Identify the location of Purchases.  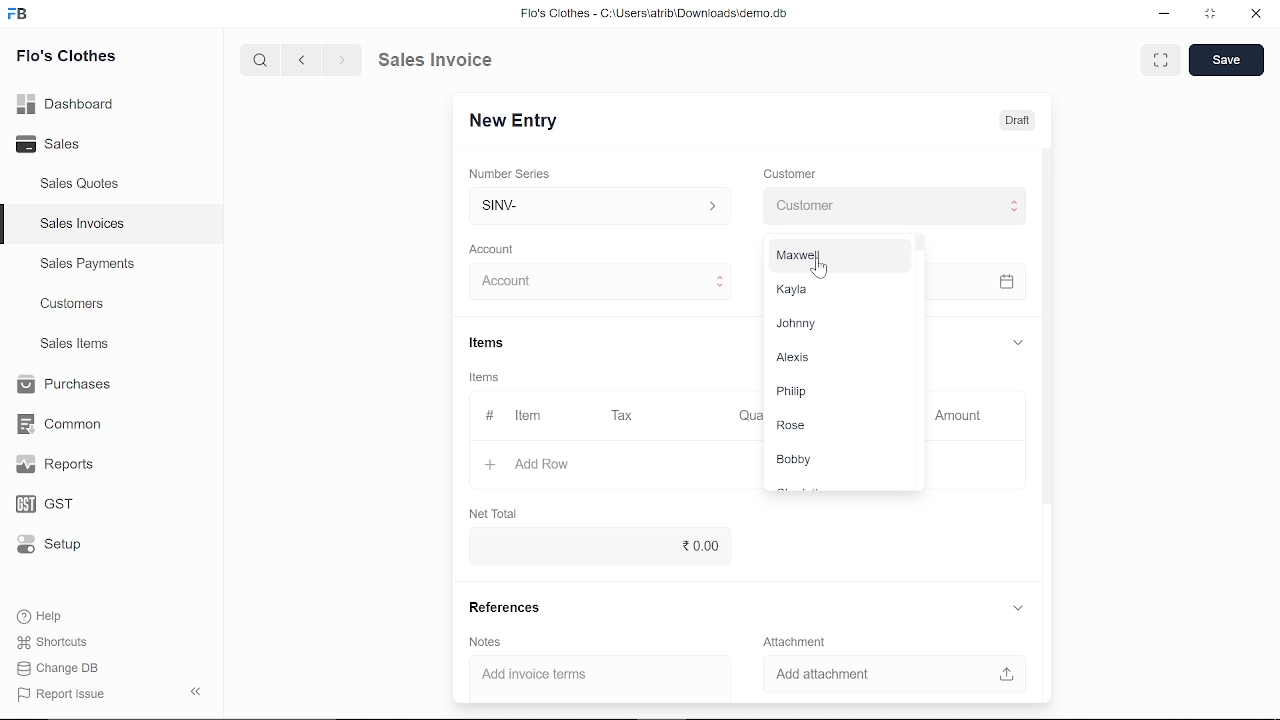
(62, 385).